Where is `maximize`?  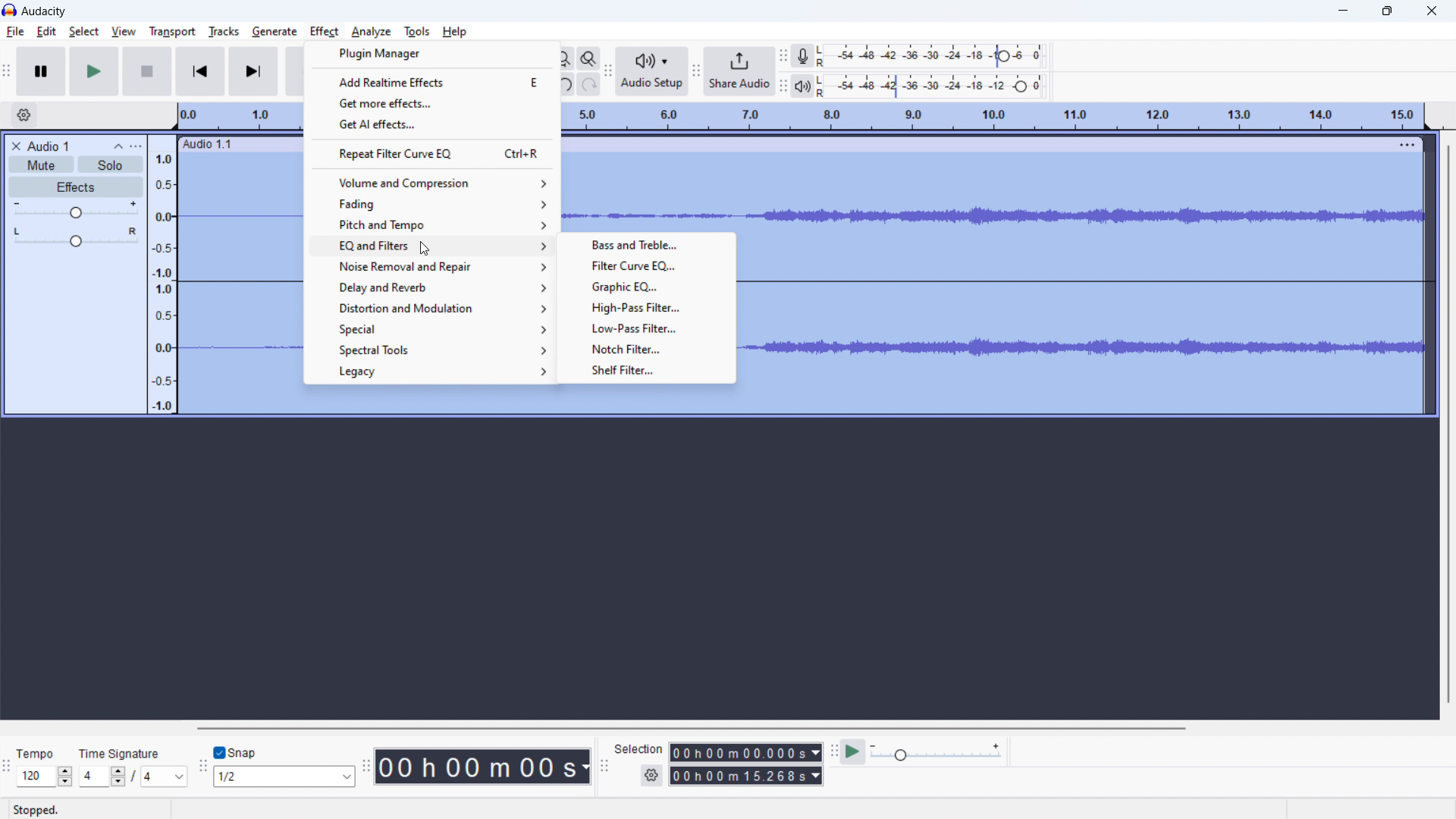
maximize is located at coordinates (1387, 11).